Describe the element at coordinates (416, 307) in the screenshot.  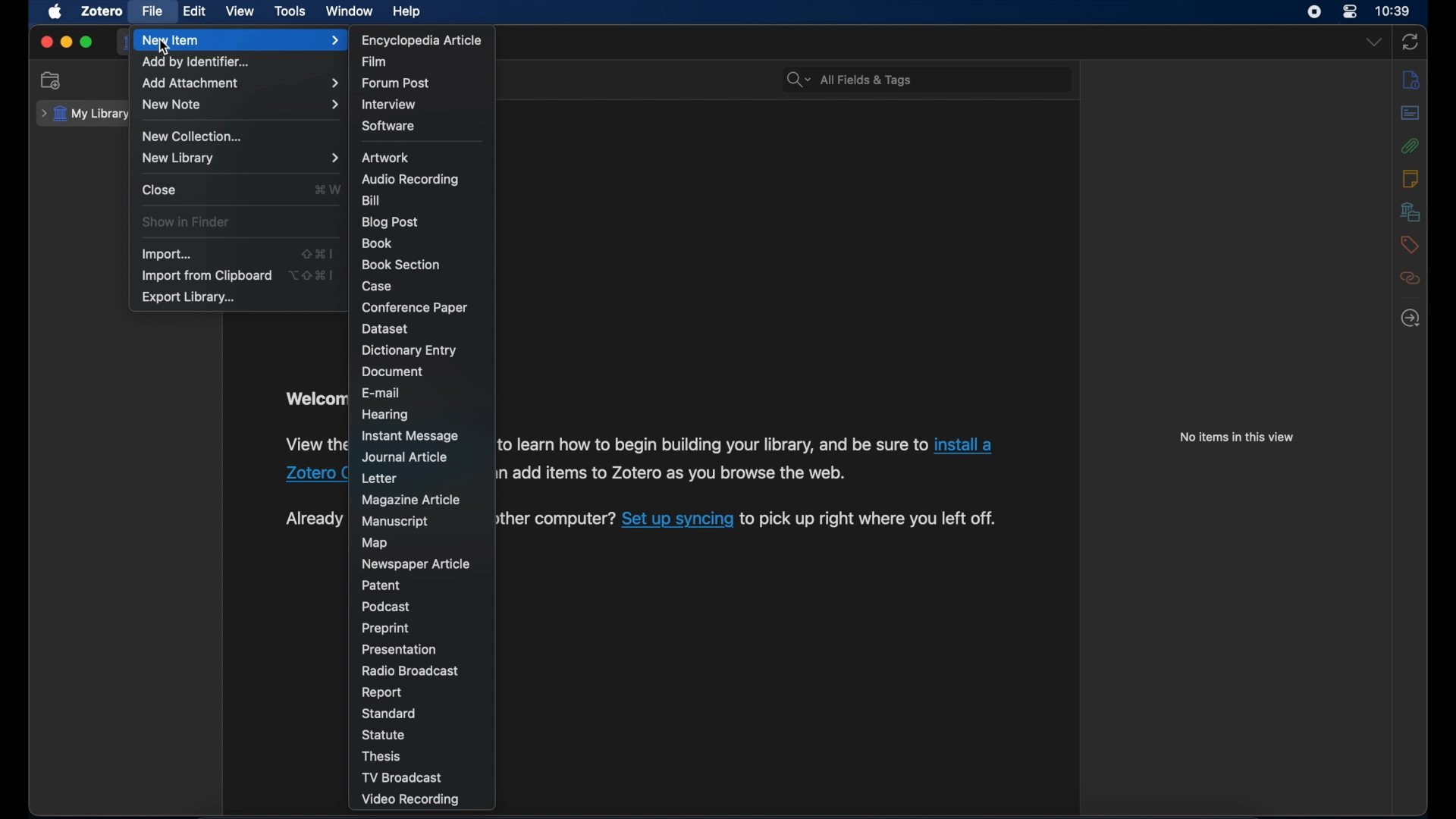
I see `conference paper` at that location.